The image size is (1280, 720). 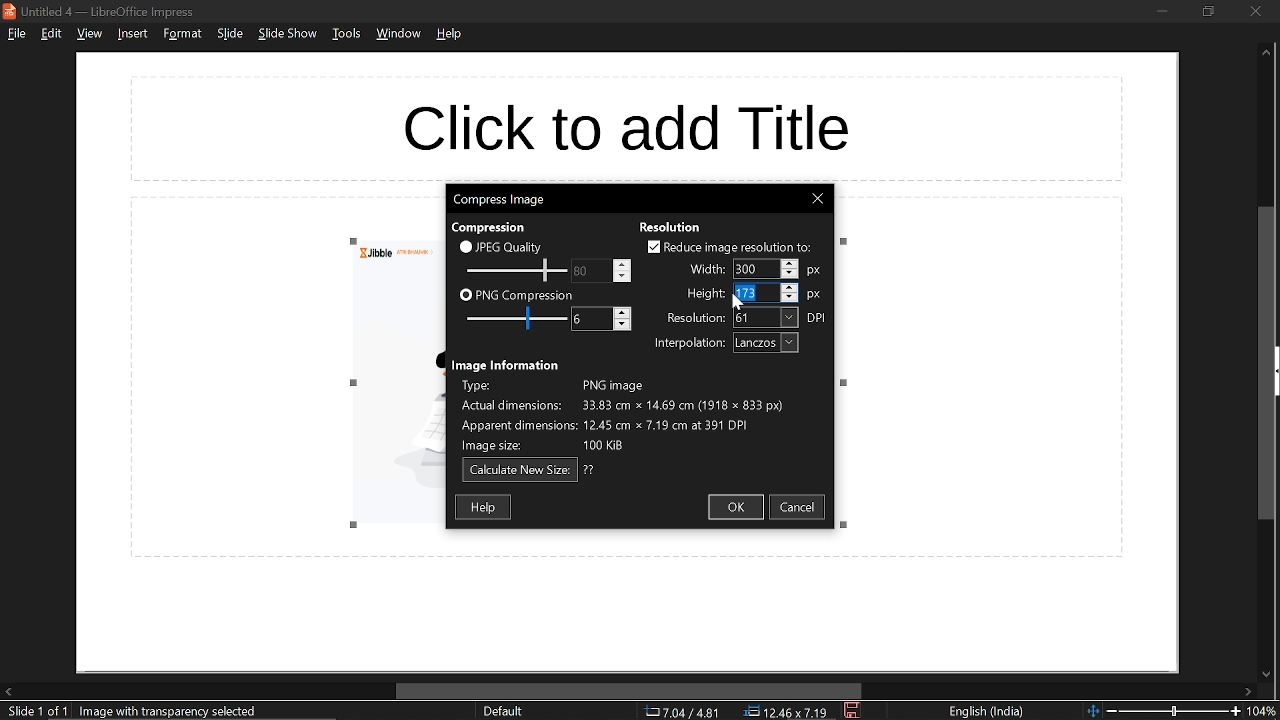 What do you see at coordinates (465, 296) in the screenshot?
I see `checkbox` at bounding box center [465, 296].